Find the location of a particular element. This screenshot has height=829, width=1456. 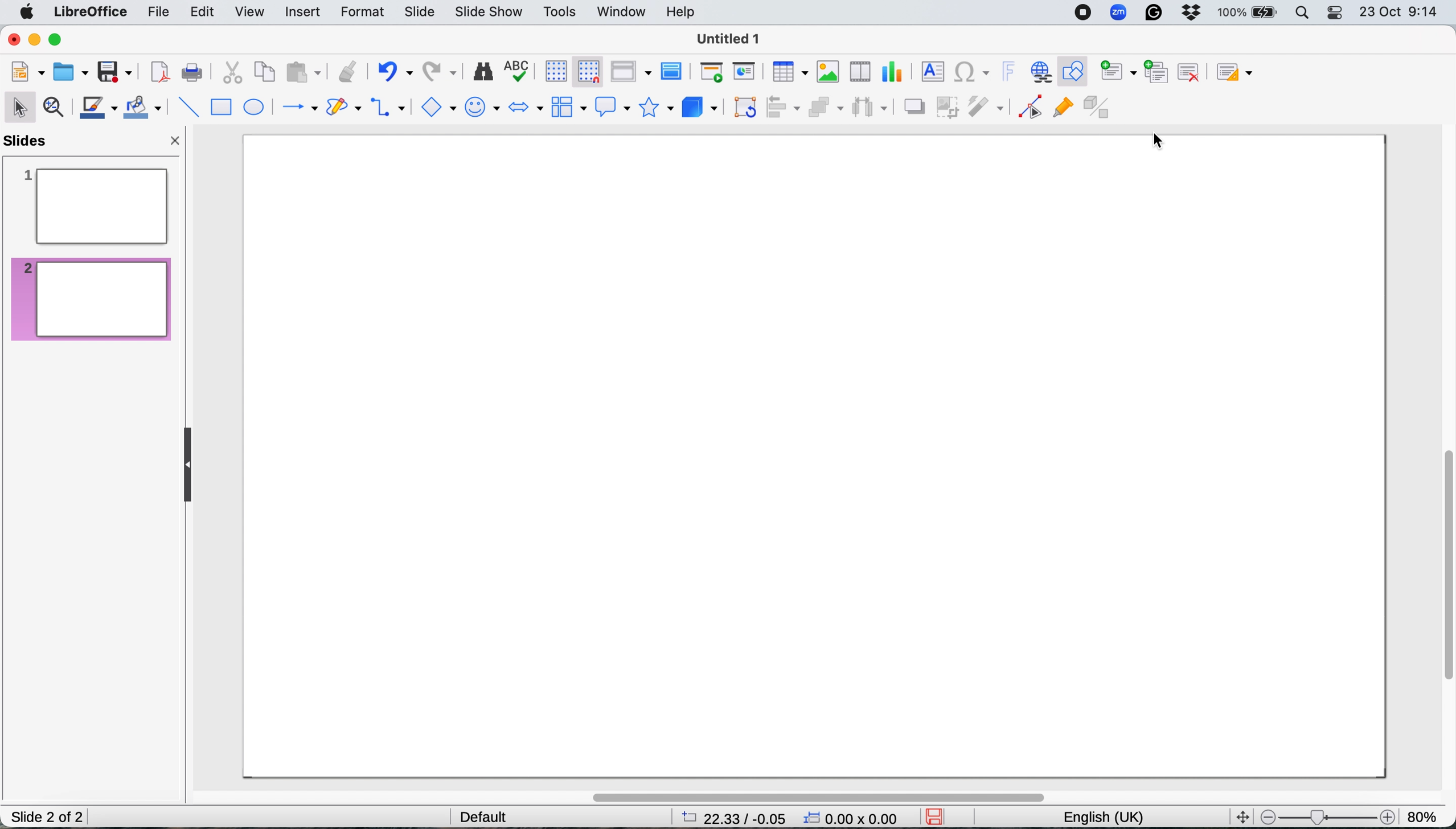

battery is located at coordinates (1249, 14).